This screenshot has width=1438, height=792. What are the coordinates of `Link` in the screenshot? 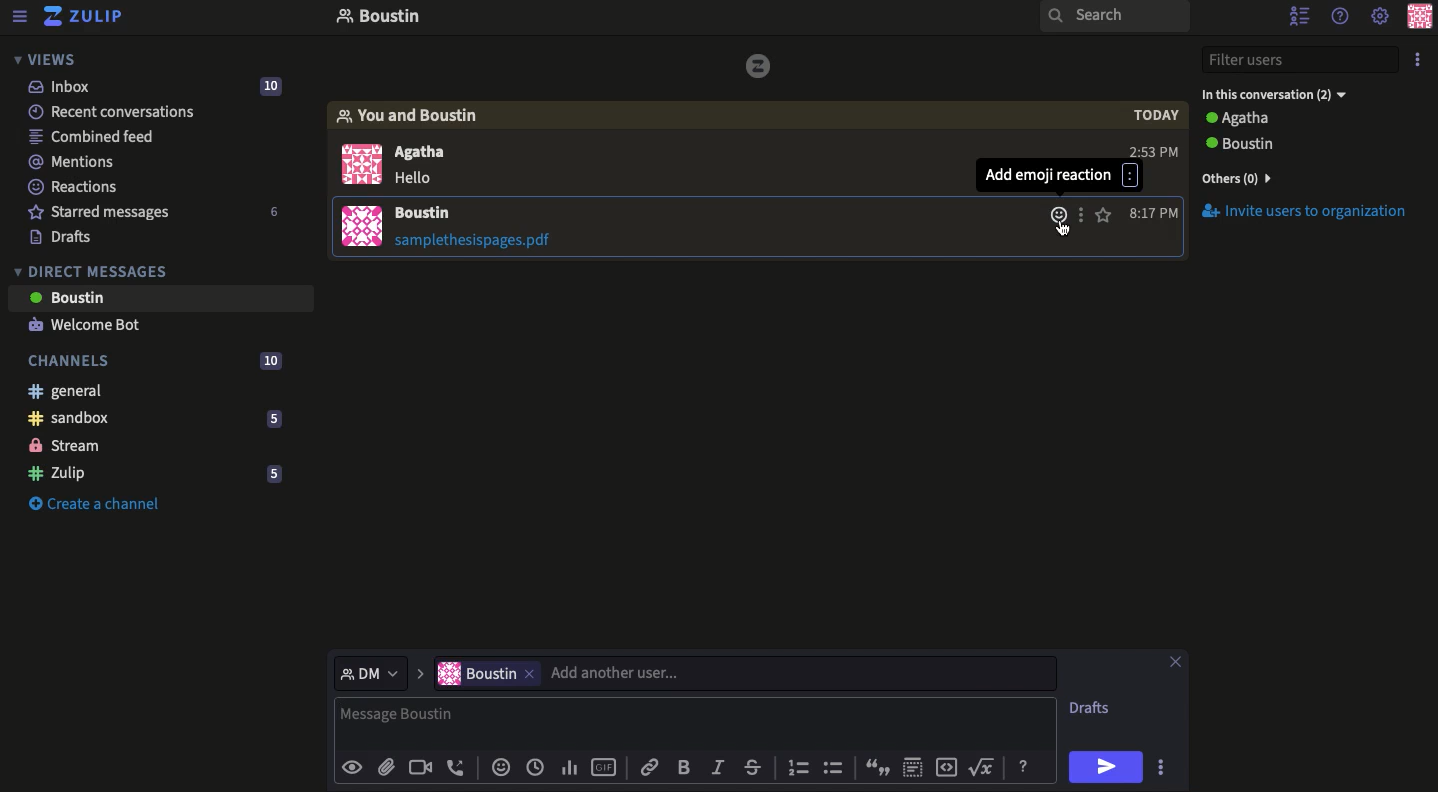 It's located at (648, 766).